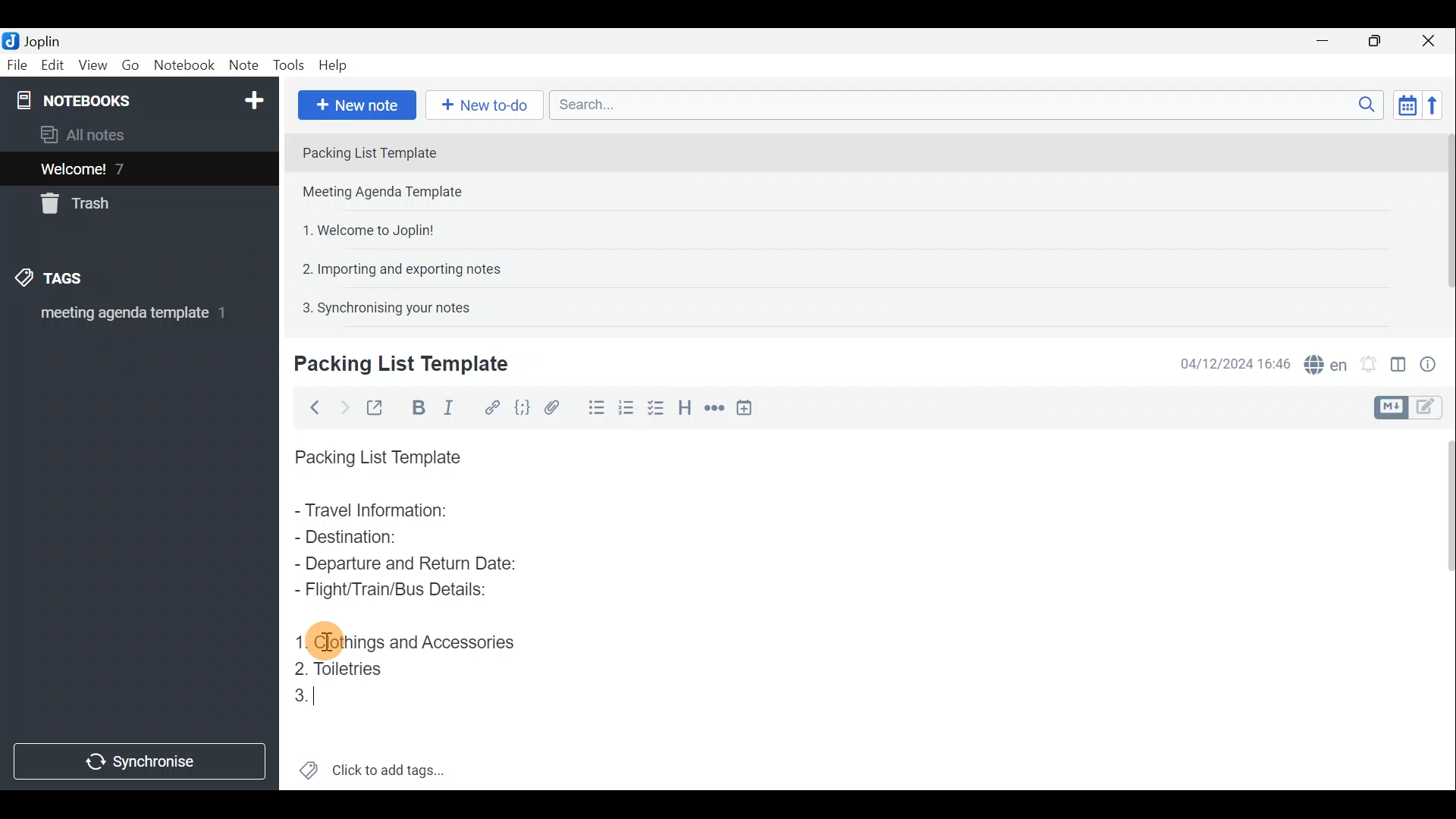 The height and width of the screenshot is (819, 1456). I want to click on cursor, so click(328, 642).